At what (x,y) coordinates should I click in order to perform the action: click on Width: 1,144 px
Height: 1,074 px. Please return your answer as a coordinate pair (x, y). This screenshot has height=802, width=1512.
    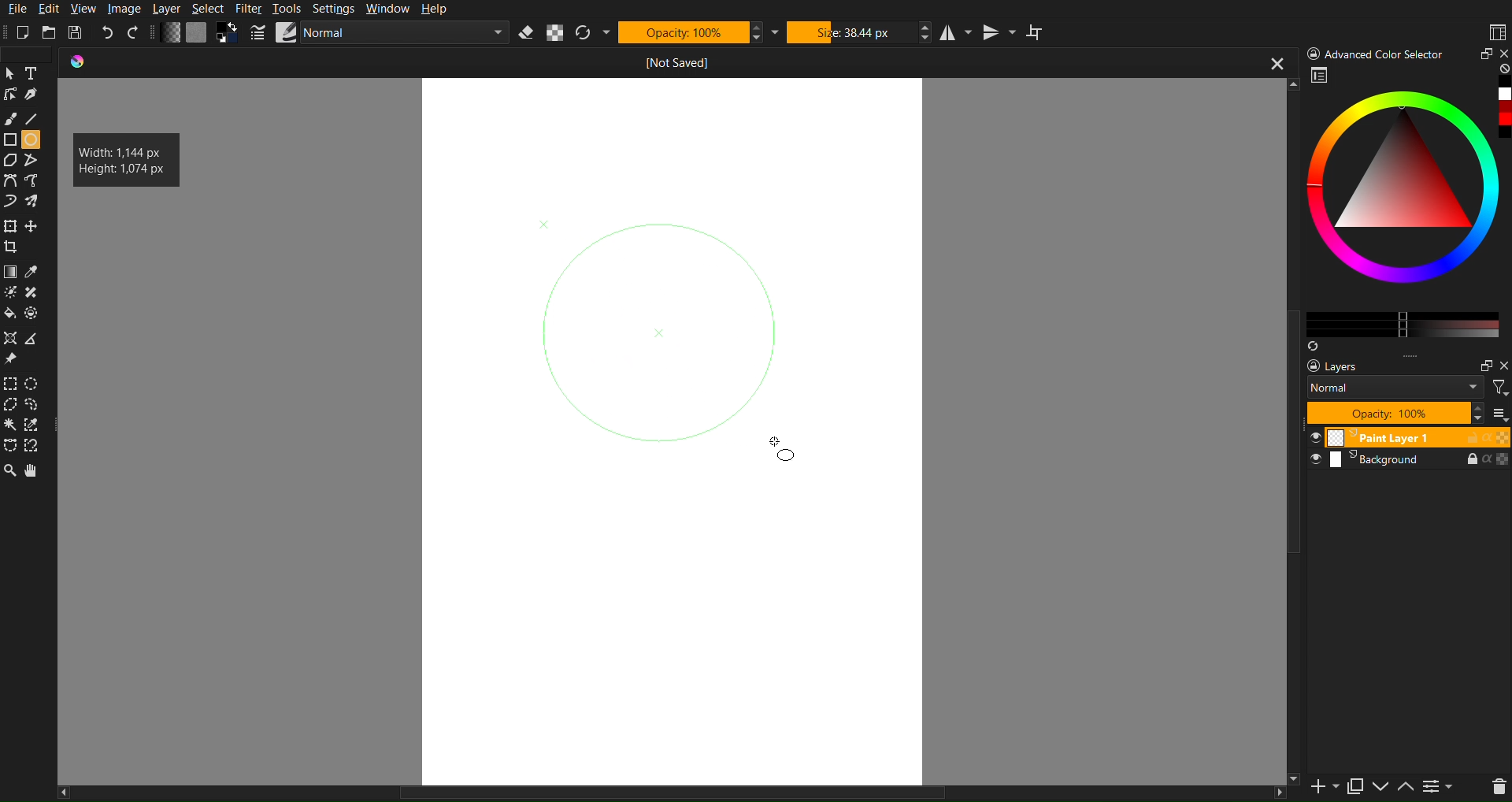
    Looking at the image, I should click on (129, 161).